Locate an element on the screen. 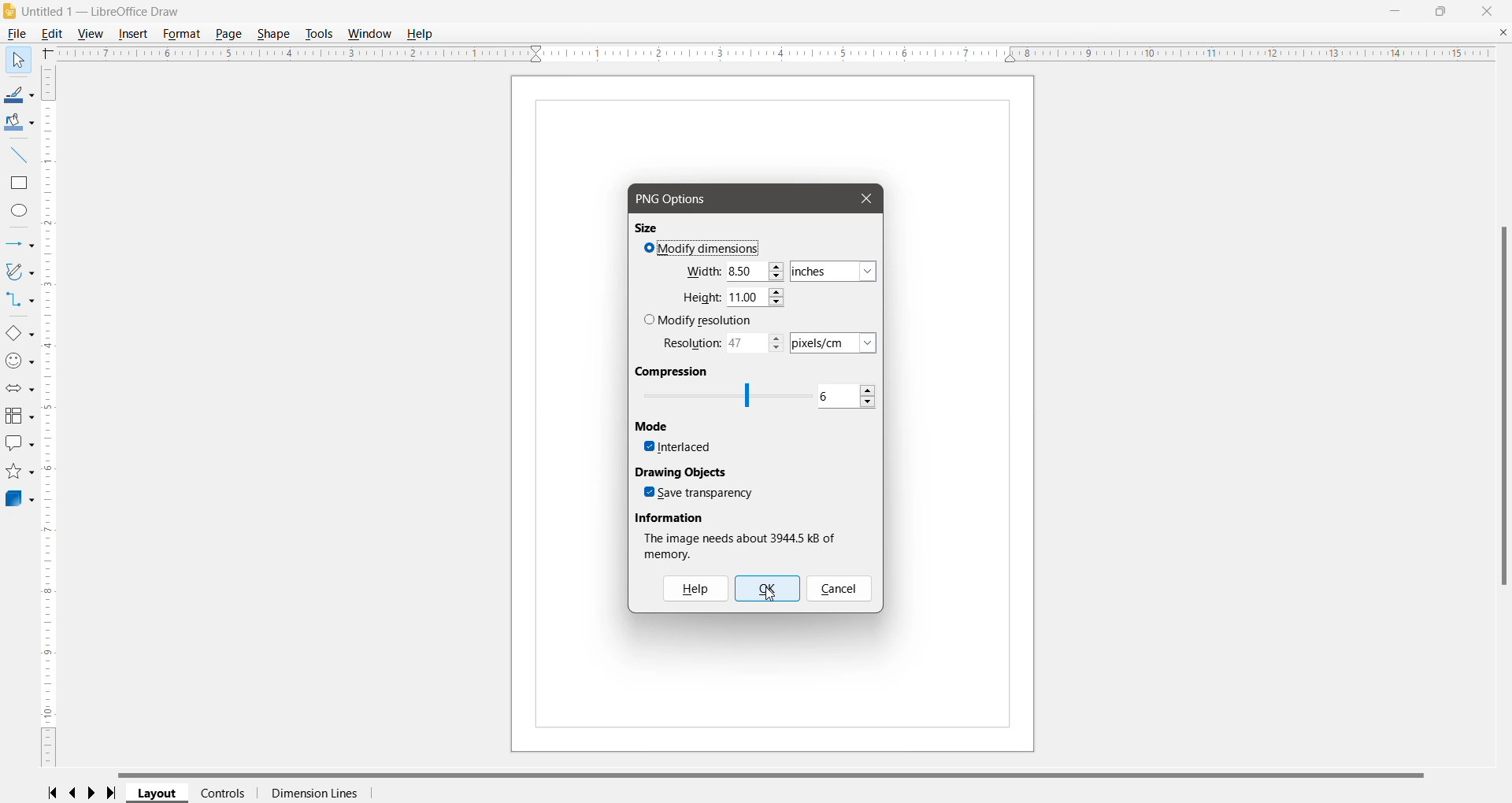  Modify resolution is located at coordinates (697, 320).